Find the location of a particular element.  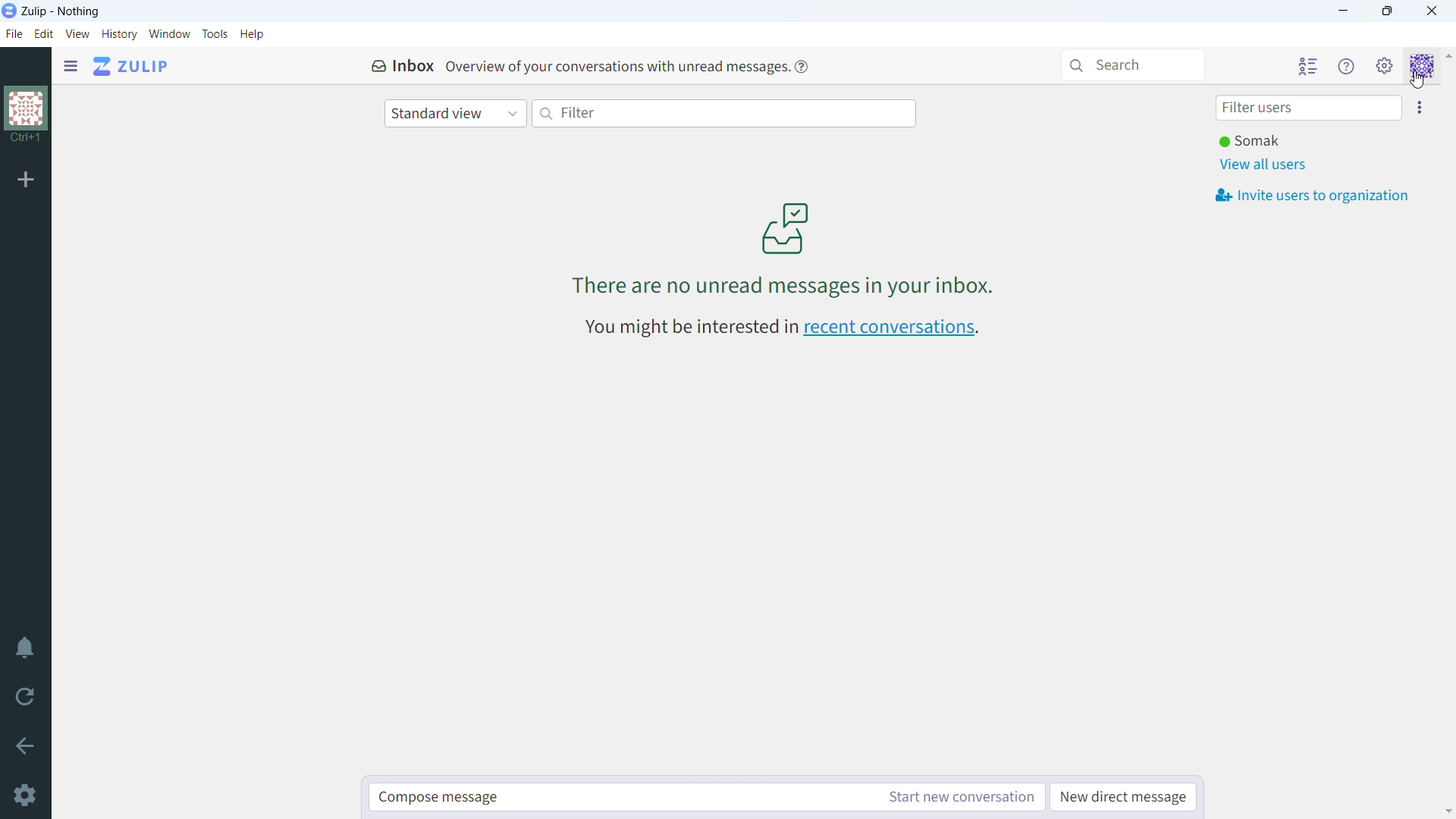

file is located at coordinates (14, 33).